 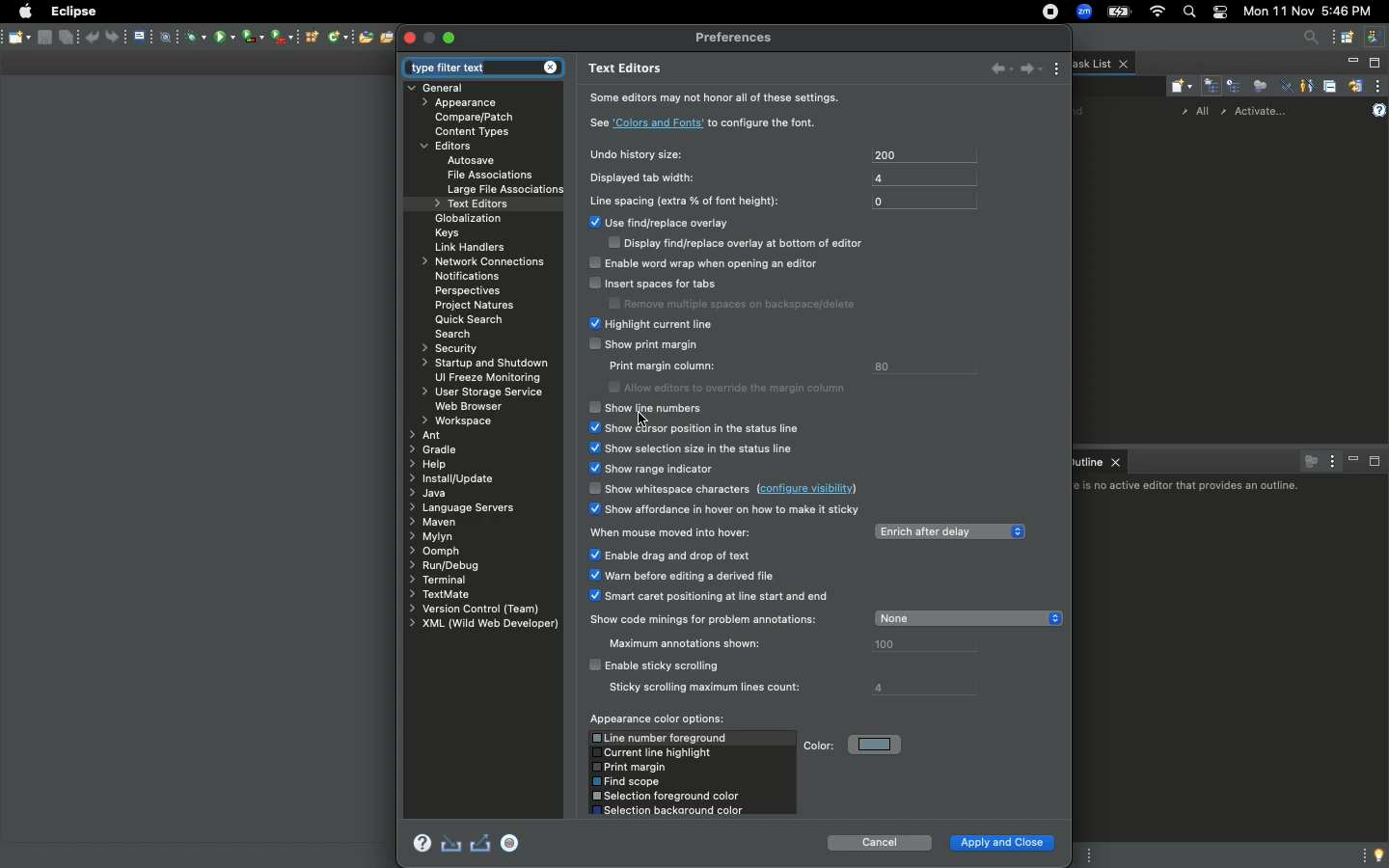 I want to click on Focus on workweek, so click(x=1259, y=84).